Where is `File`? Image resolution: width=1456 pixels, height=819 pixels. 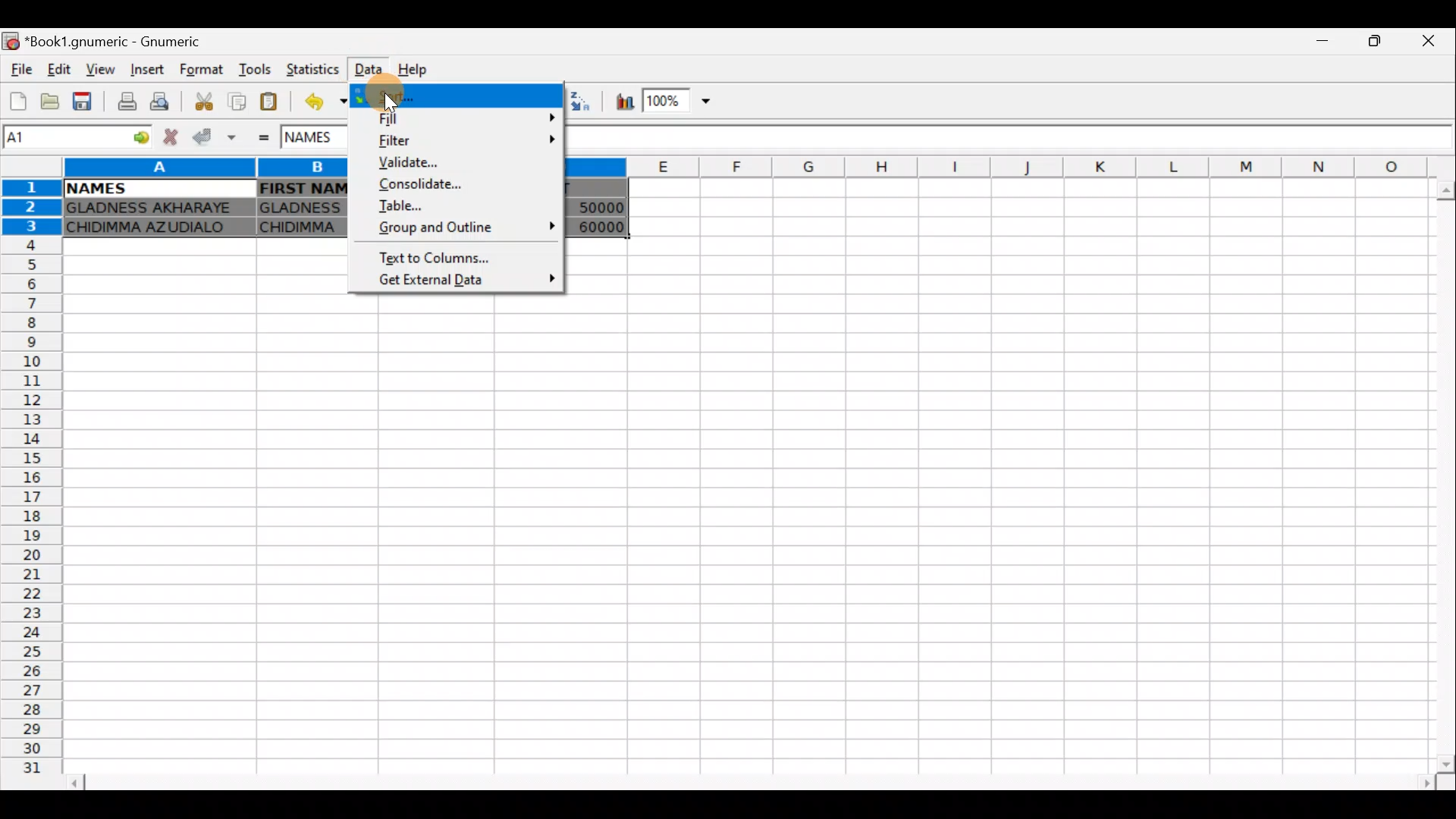
File is located at coordinates (21, 71).